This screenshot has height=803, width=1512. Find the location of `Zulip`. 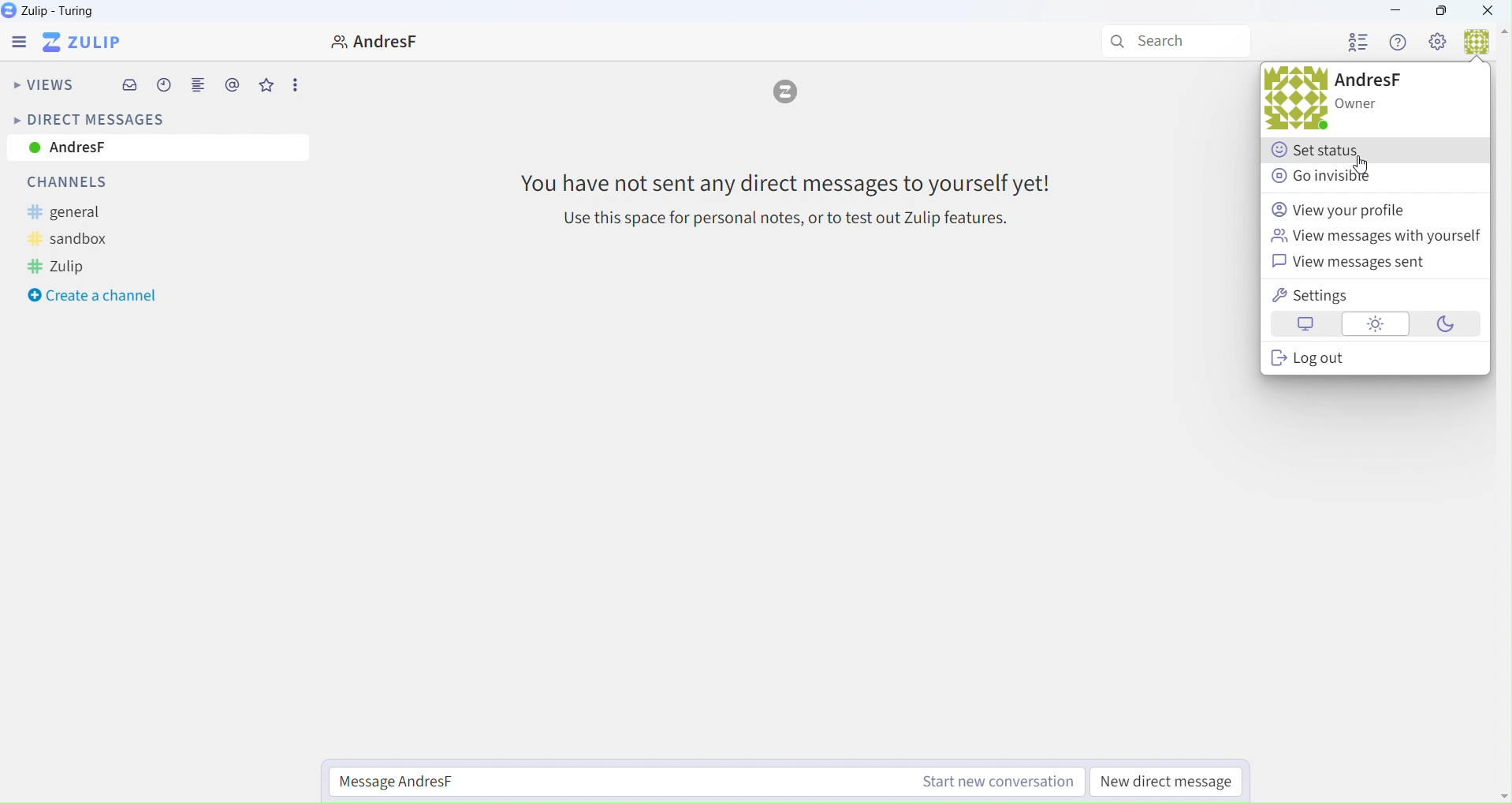

Zulip is located at coordinates (55, 11).